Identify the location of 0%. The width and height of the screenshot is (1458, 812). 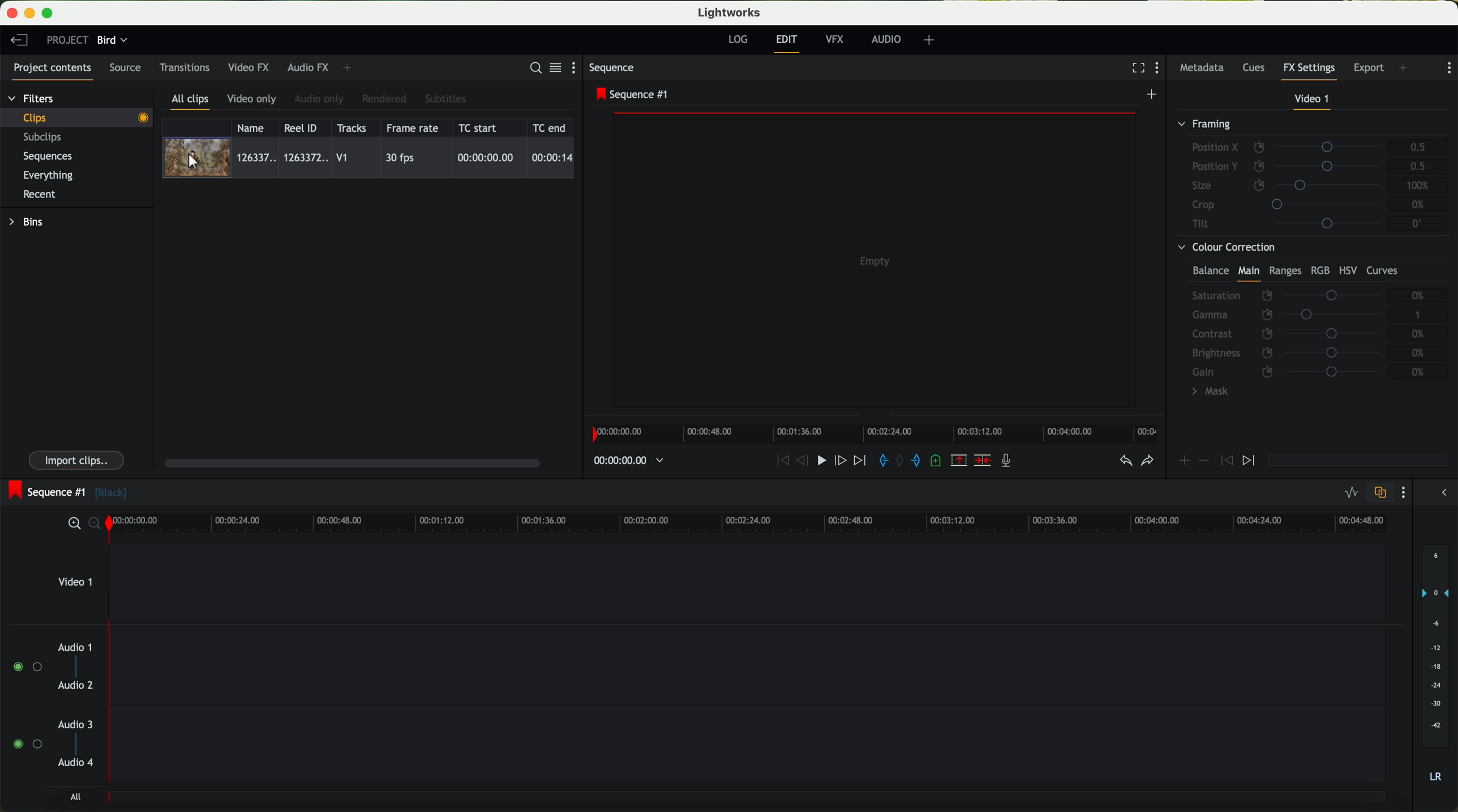
(1418, 295).